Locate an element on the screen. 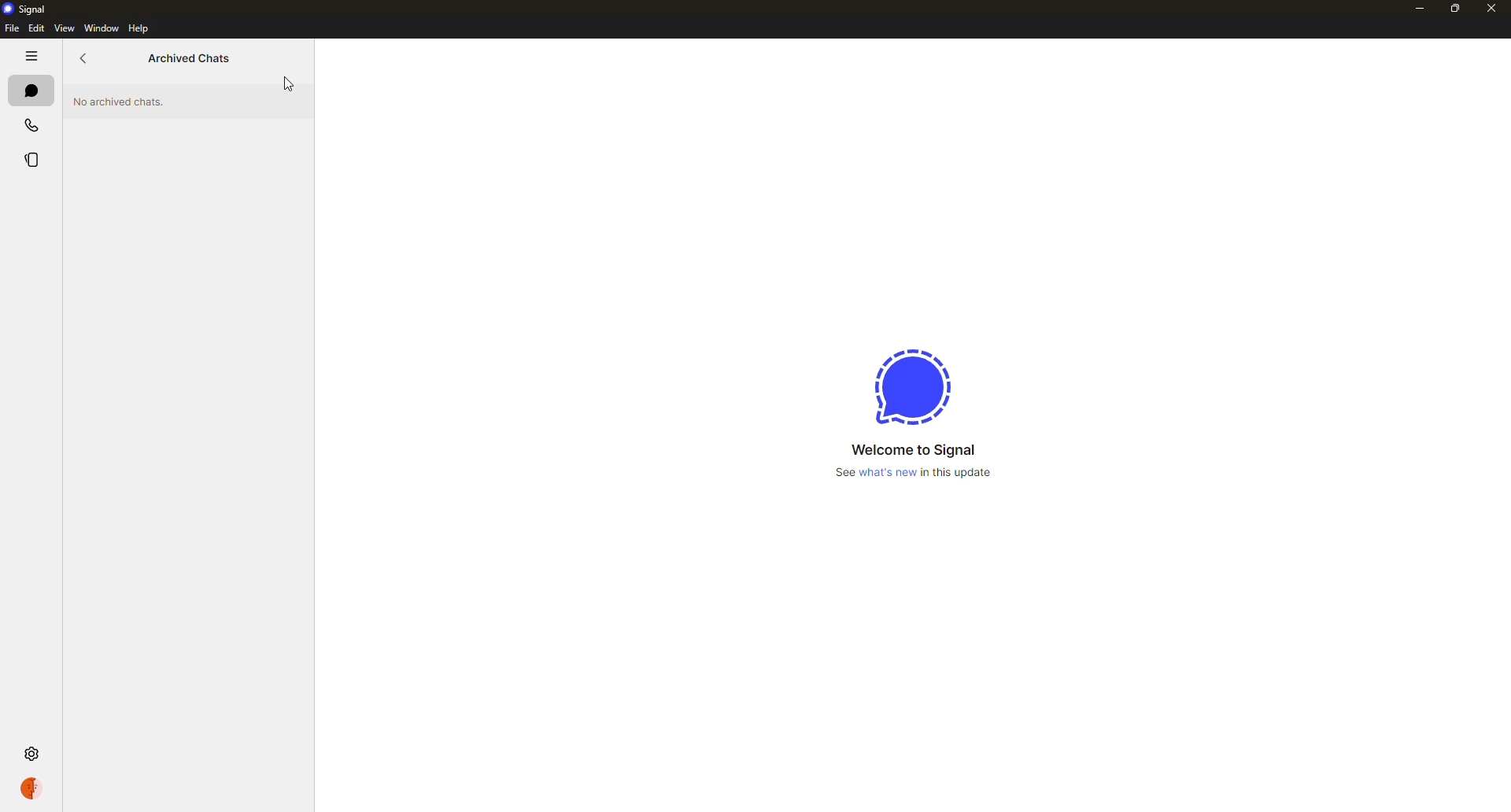 This screenshot has width=1511, height=812. maximize is located at coordinates (1455, 9).